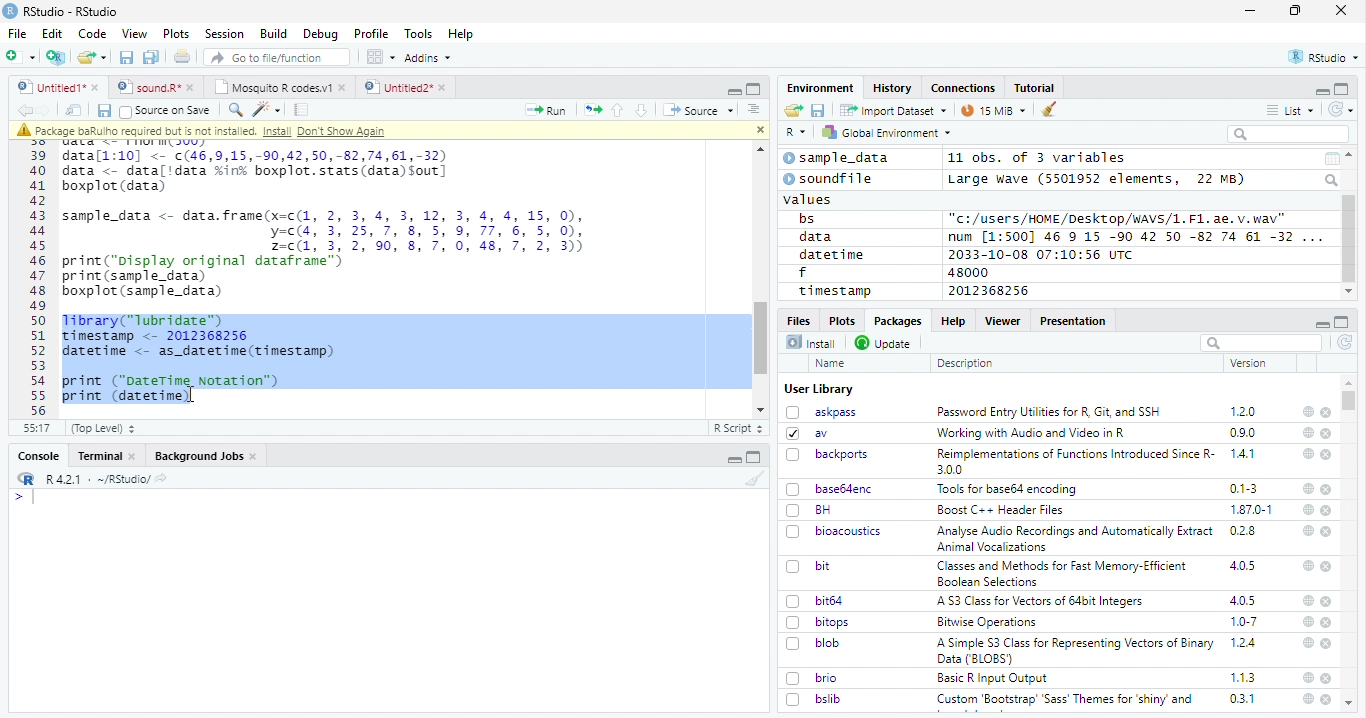  Describe the element at coordinates (1243, 600) in the screenshot. I see `4.0.5` at that location.